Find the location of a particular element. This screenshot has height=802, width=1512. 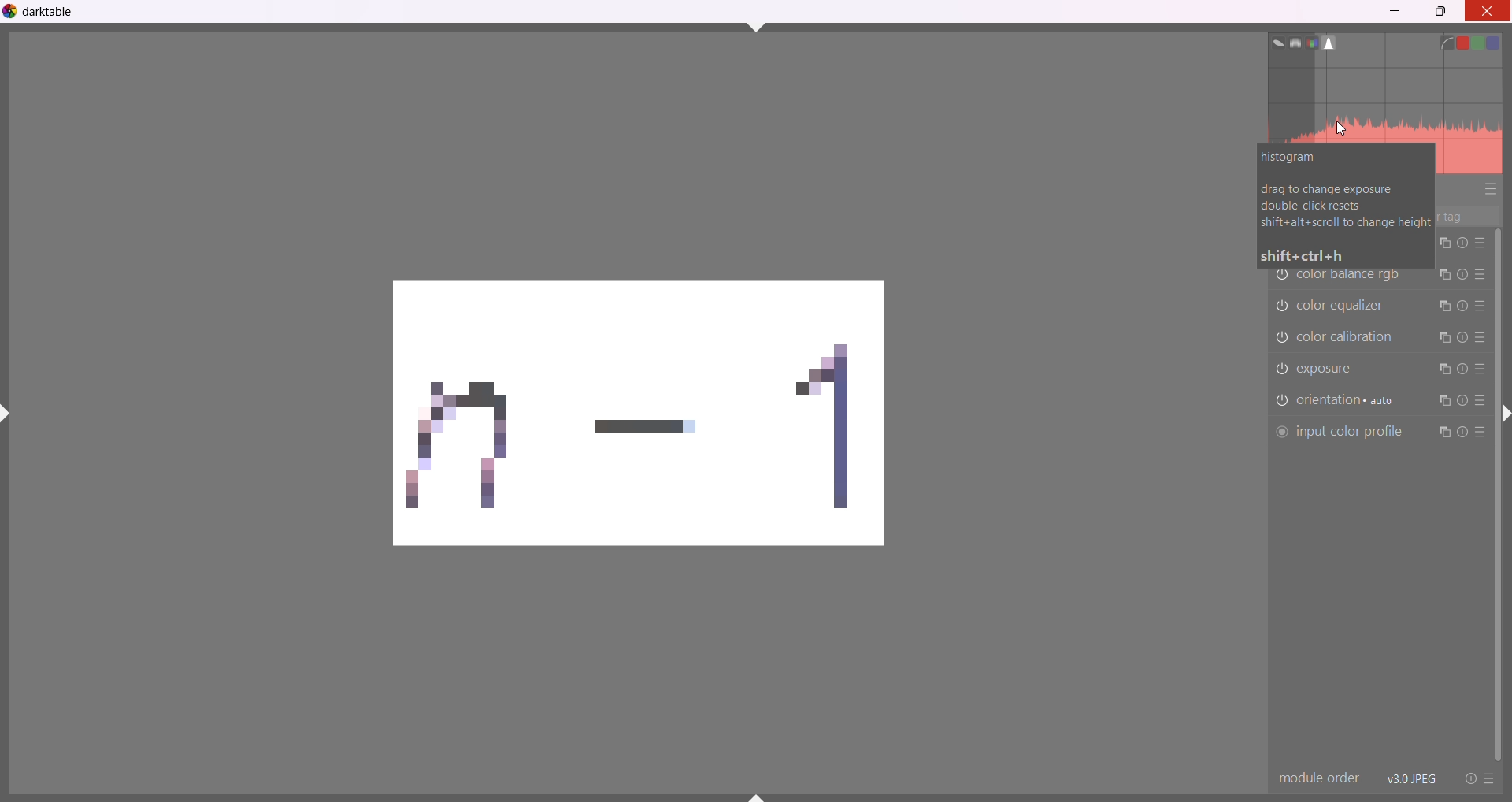

presets is located at coordinates (1482, 337).